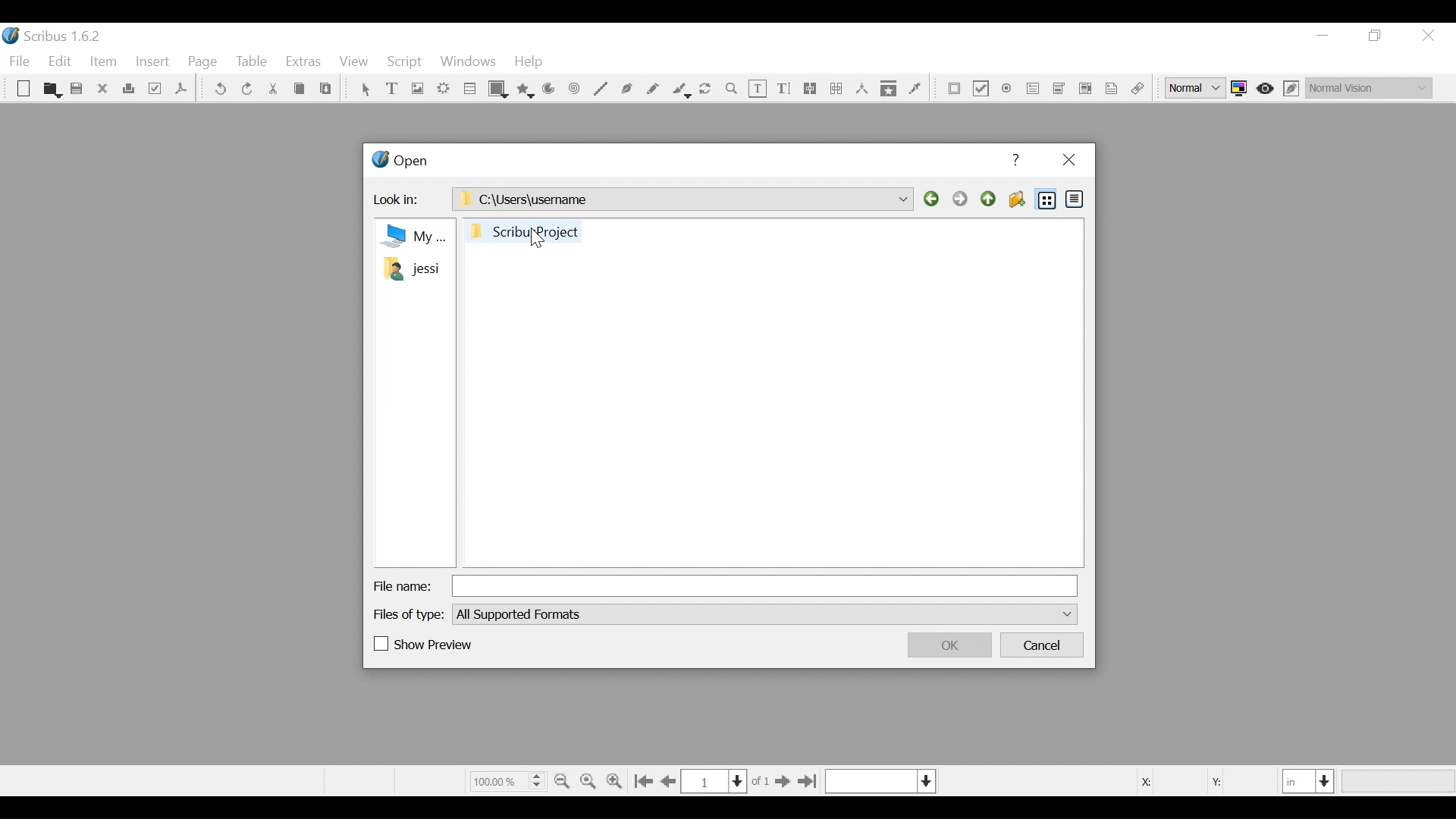 The height and width of the screenshot is (819, 1456). Describe the element at coordinates (590, 779) in the screenshot. I see `Zoom to 100` at that location.